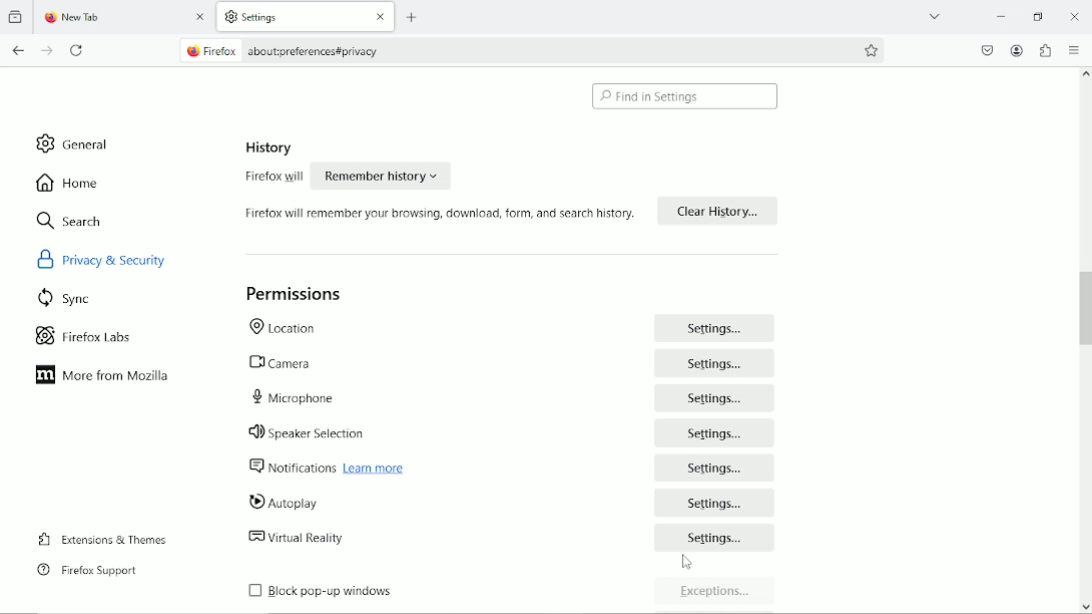 Image resolution: width=1092 pixels, height=614 pixels. I want to click on new tab, so click(414, 17).